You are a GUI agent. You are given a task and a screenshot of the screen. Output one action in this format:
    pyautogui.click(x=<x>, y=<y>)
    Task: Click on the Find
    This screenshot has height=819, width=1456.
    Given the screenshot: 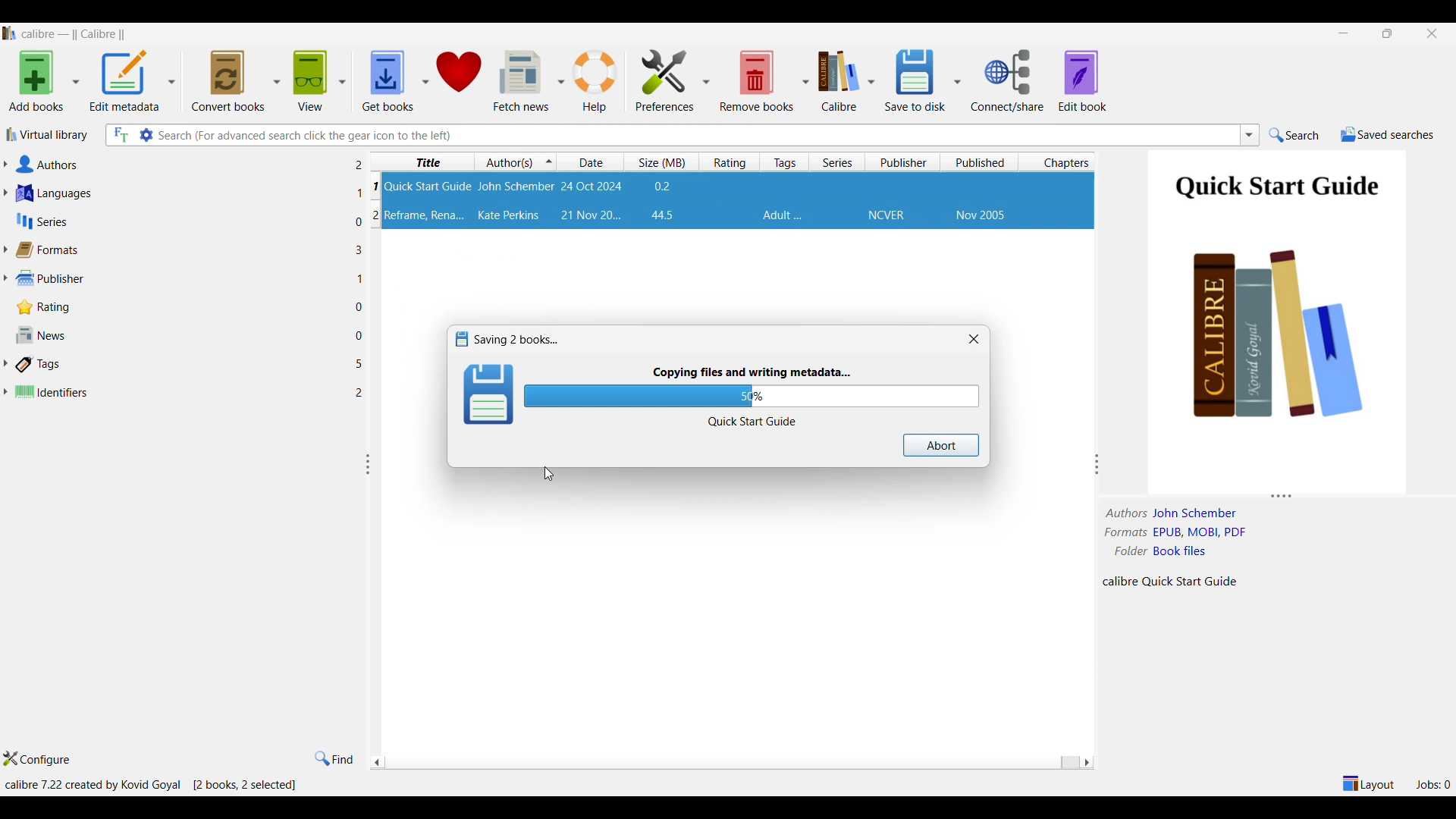 What is the action you would take?
    pyautogui.click(x=334, y=759)
    